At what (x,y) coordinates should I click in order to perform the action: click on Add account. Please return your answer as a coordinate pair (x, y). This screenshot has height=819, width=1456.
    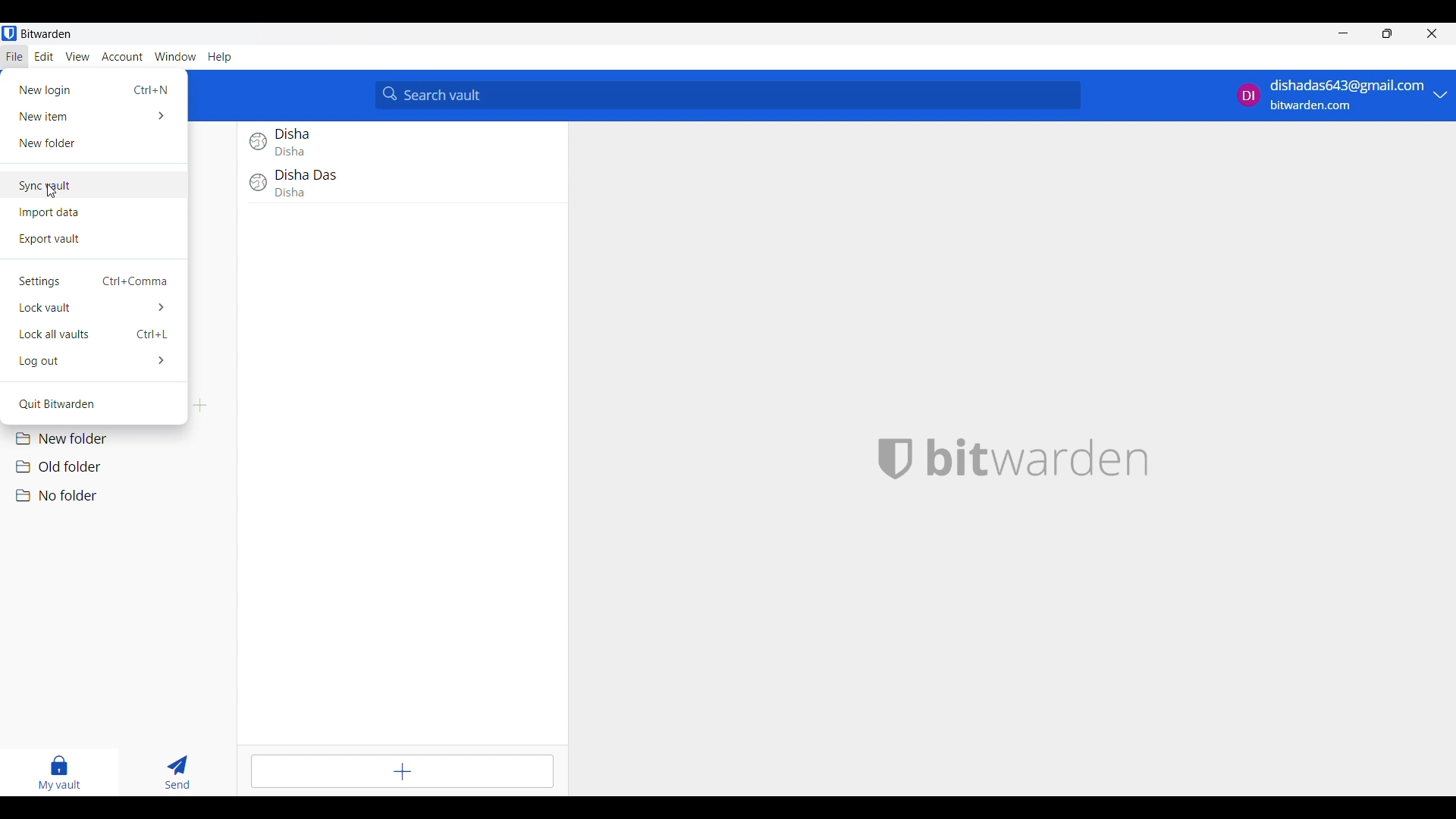
    Looking at the image, I should click on (1440, 95).